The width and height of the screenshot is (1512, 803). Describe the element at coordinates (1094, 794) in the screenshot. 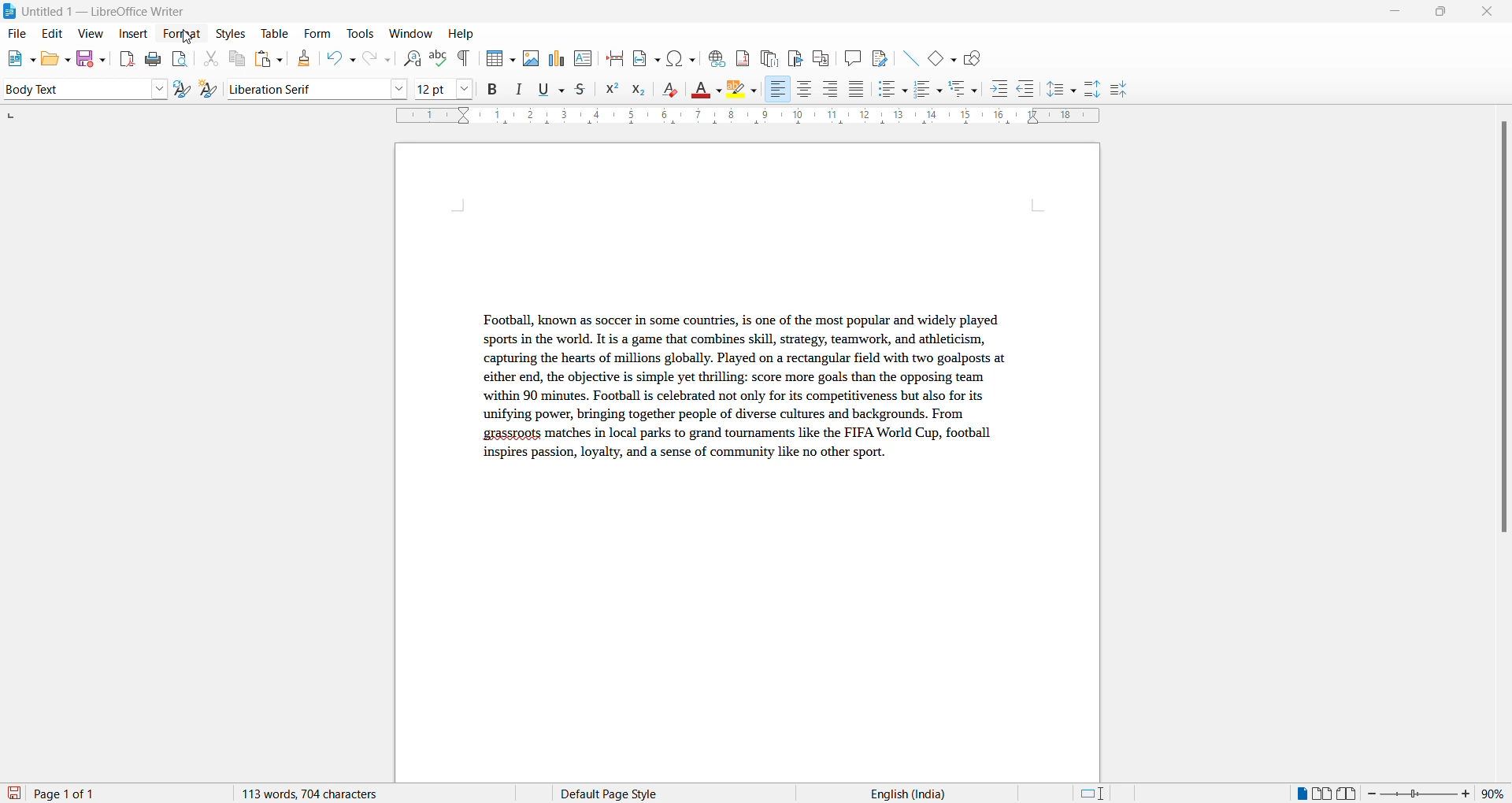

I see `standard selection` at that location.